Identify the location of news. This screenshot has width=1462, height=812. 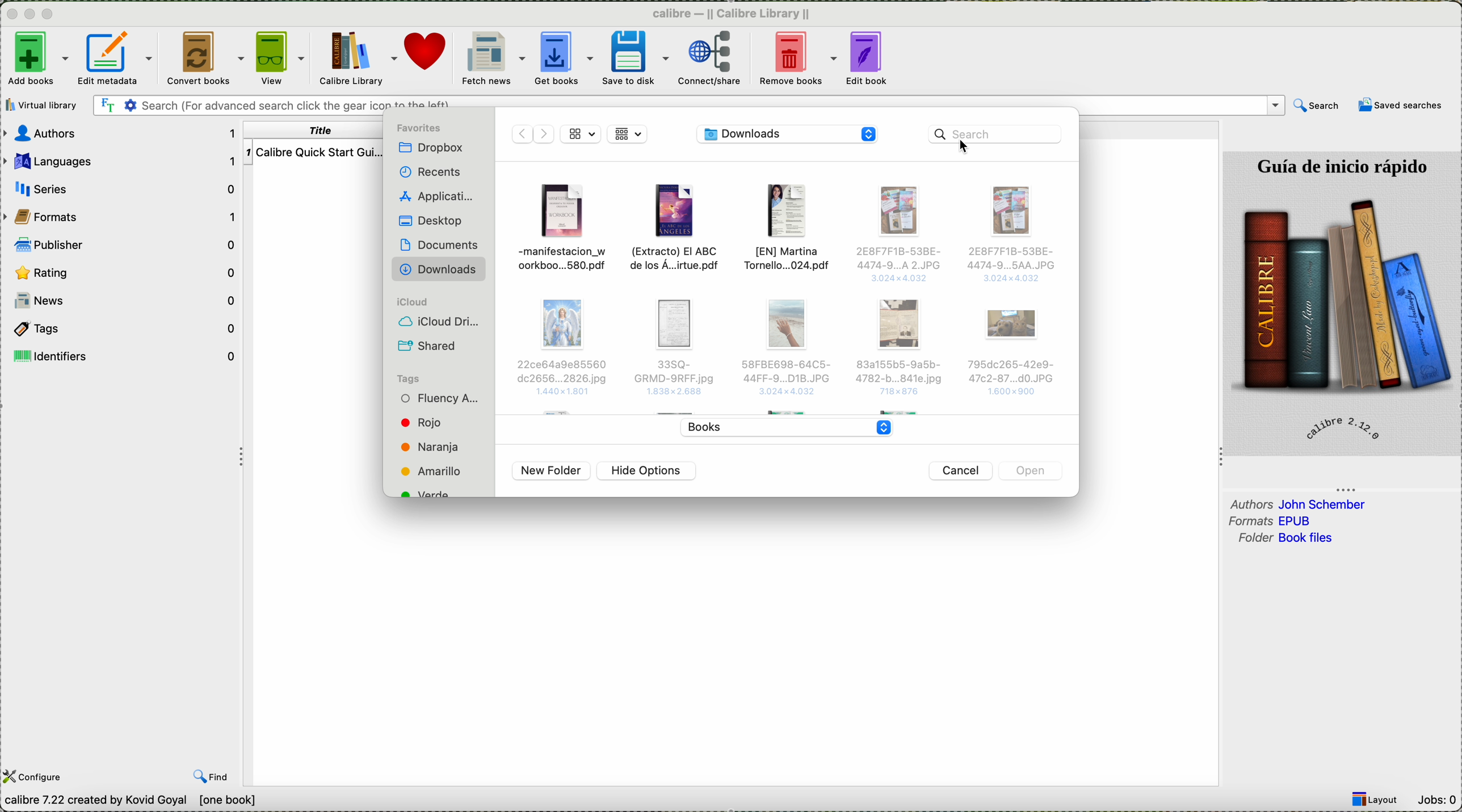
(123, 301).